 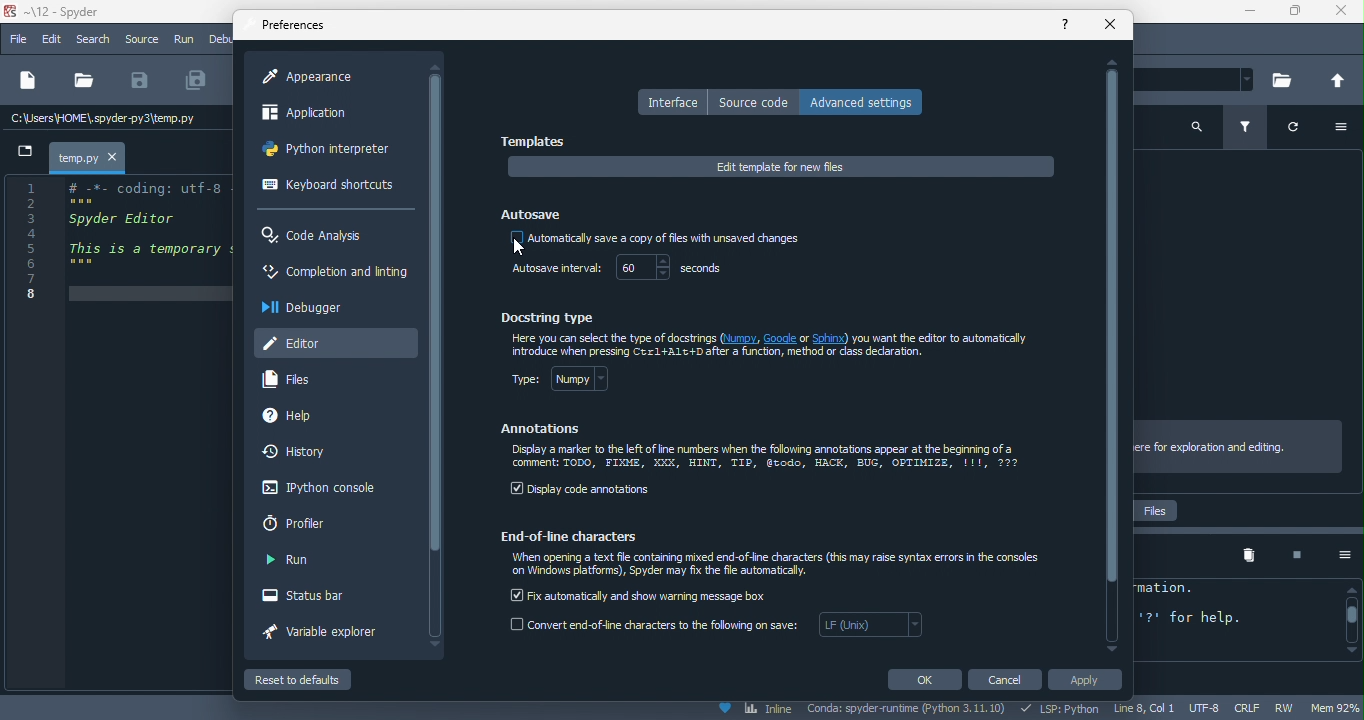 I want to click on , so click(x=1340, y=80).